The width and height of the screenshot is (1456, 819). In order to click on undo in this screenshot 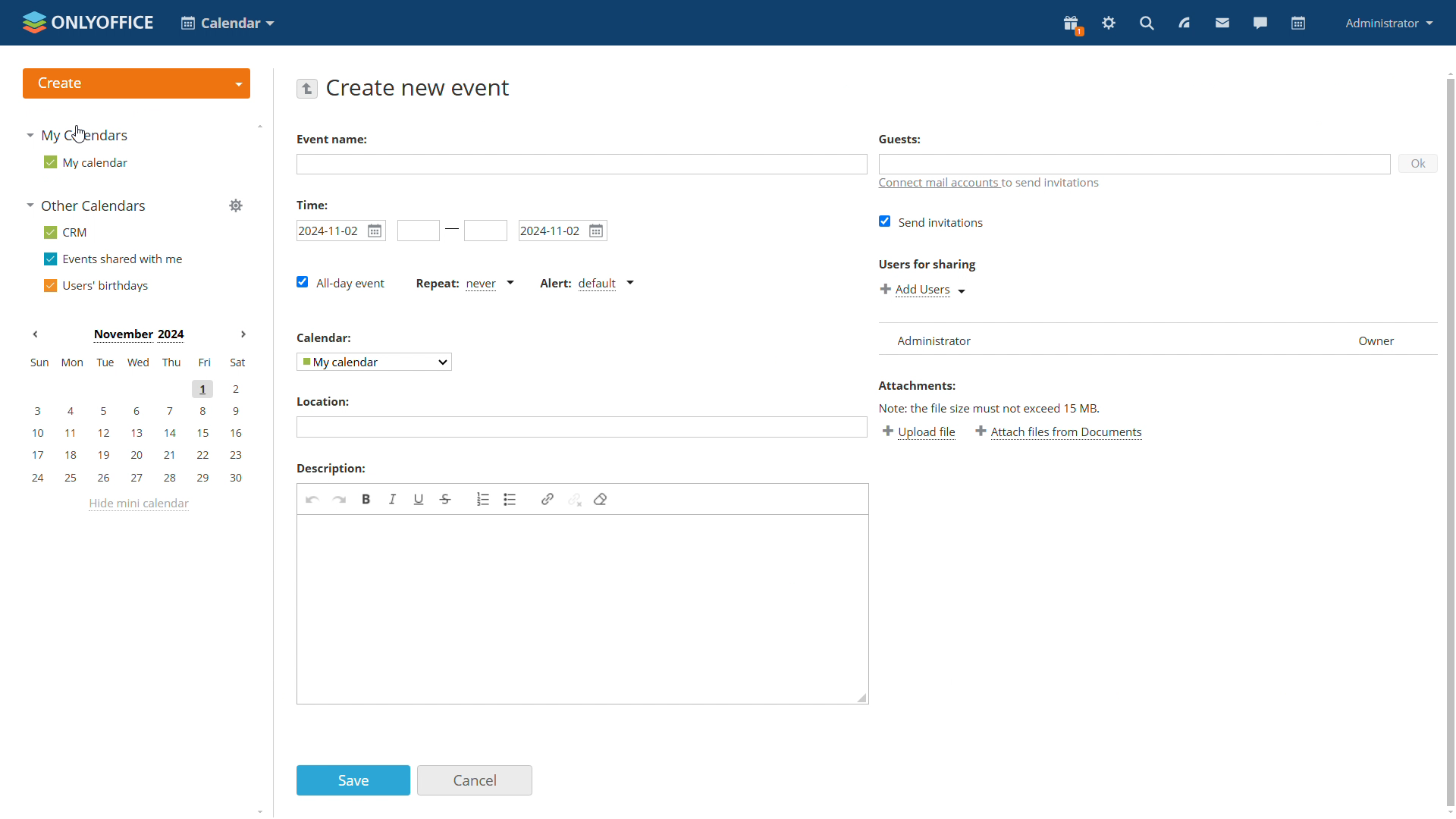, I will do `click(312, 499)`.